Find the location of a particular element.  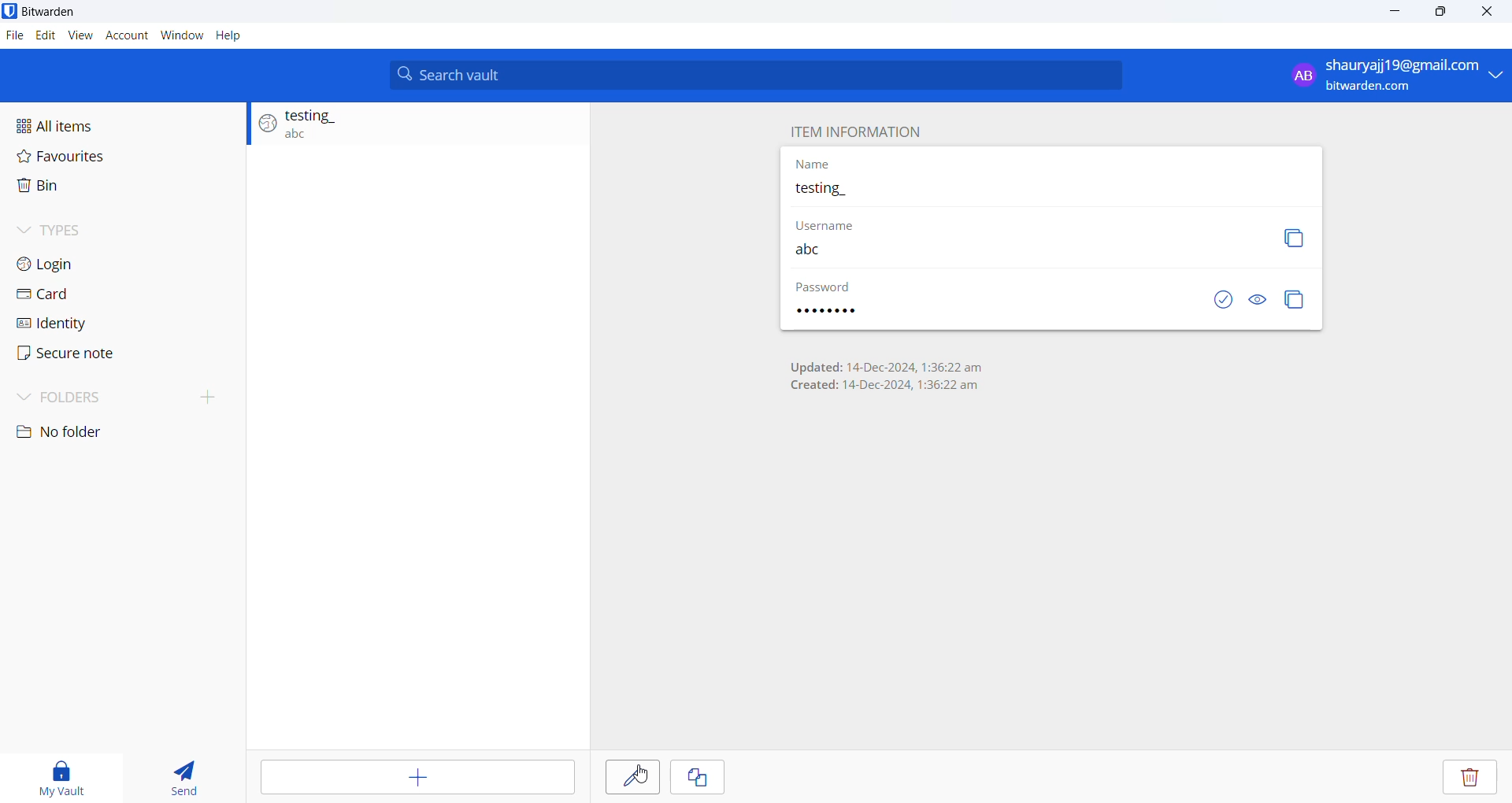

Username is located at coordinates (1015, 250).